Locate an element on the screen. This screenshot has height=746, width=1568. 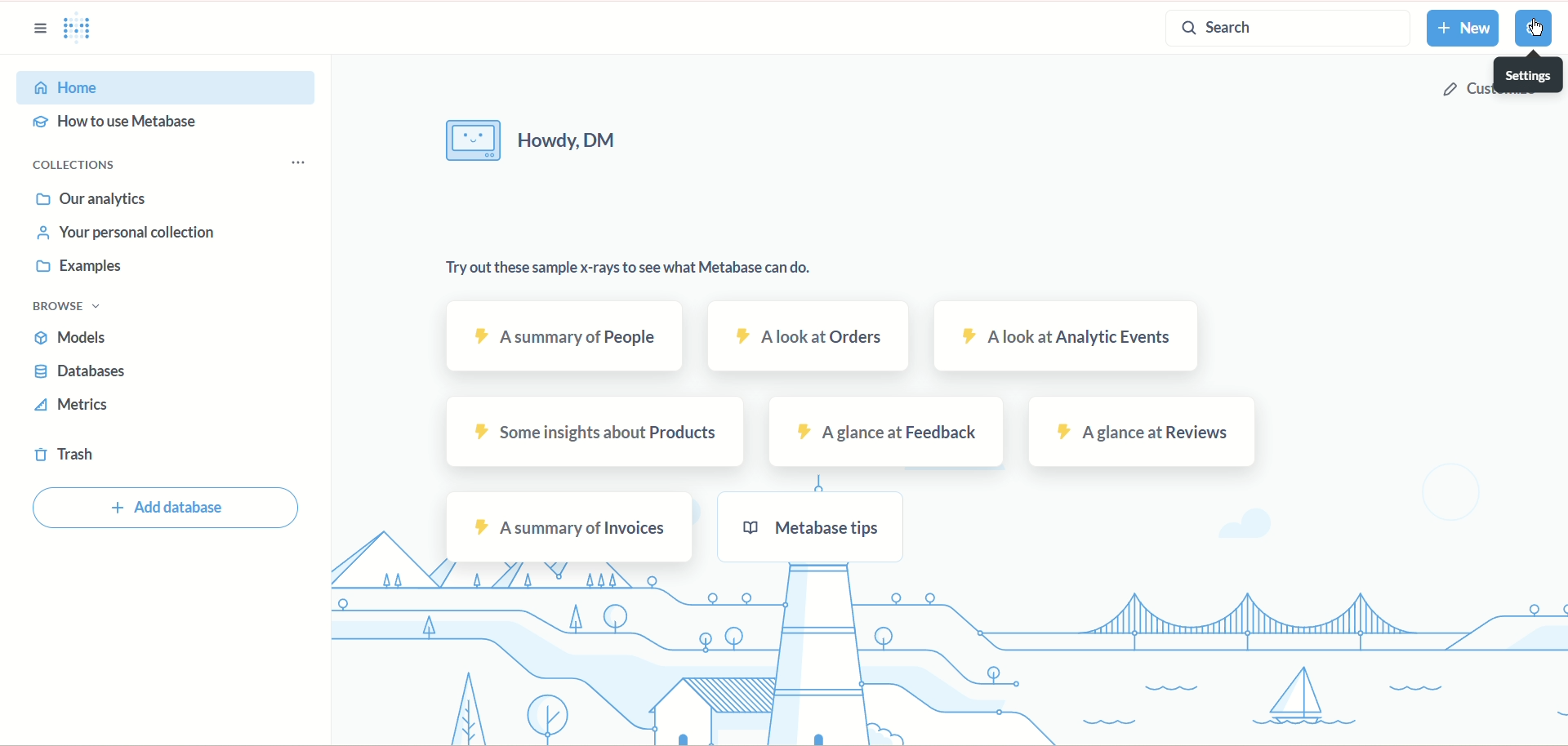
home is located at coordinates (164, 87).